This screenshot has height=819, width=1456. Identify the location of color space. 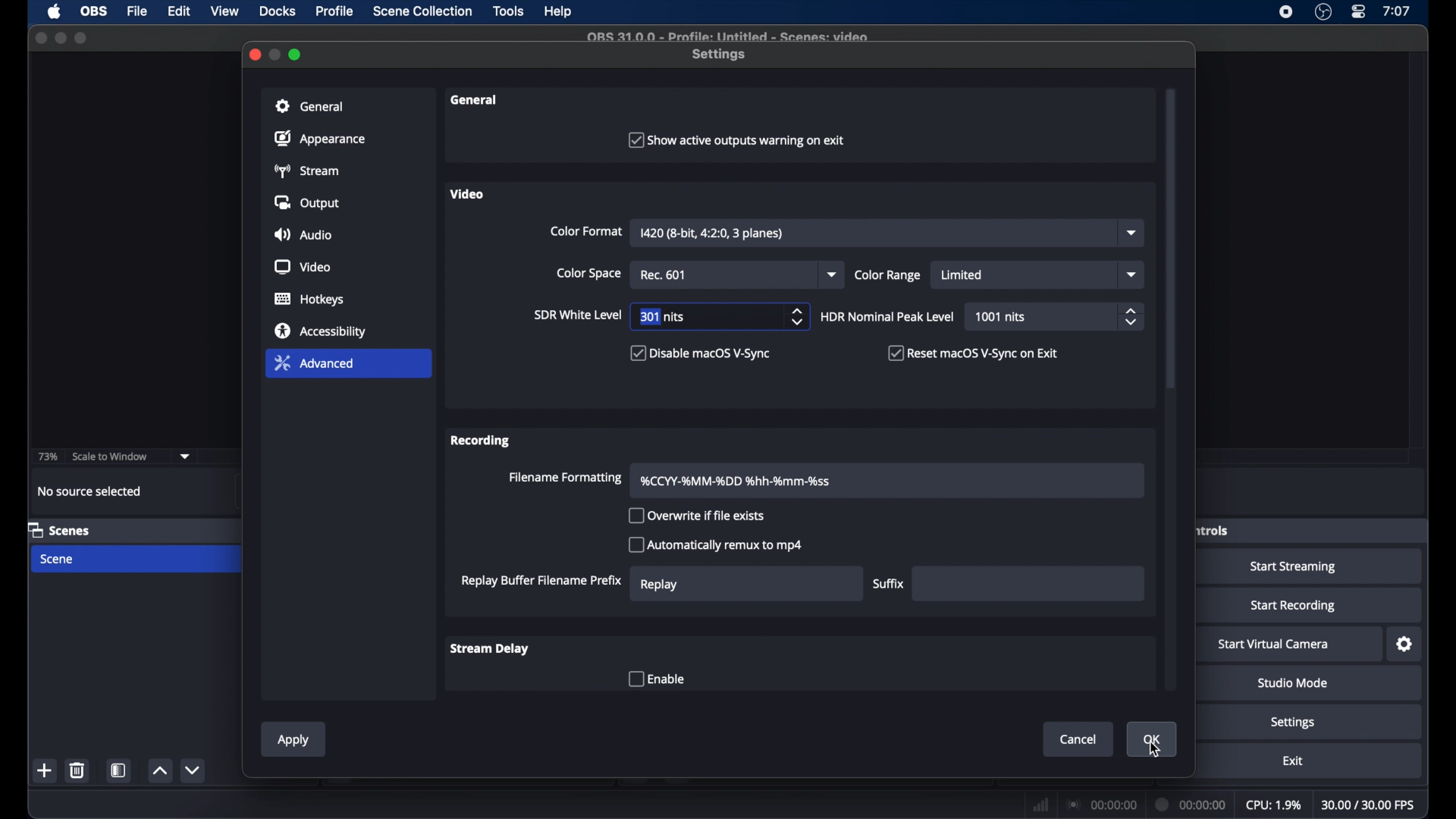
(591, 274).